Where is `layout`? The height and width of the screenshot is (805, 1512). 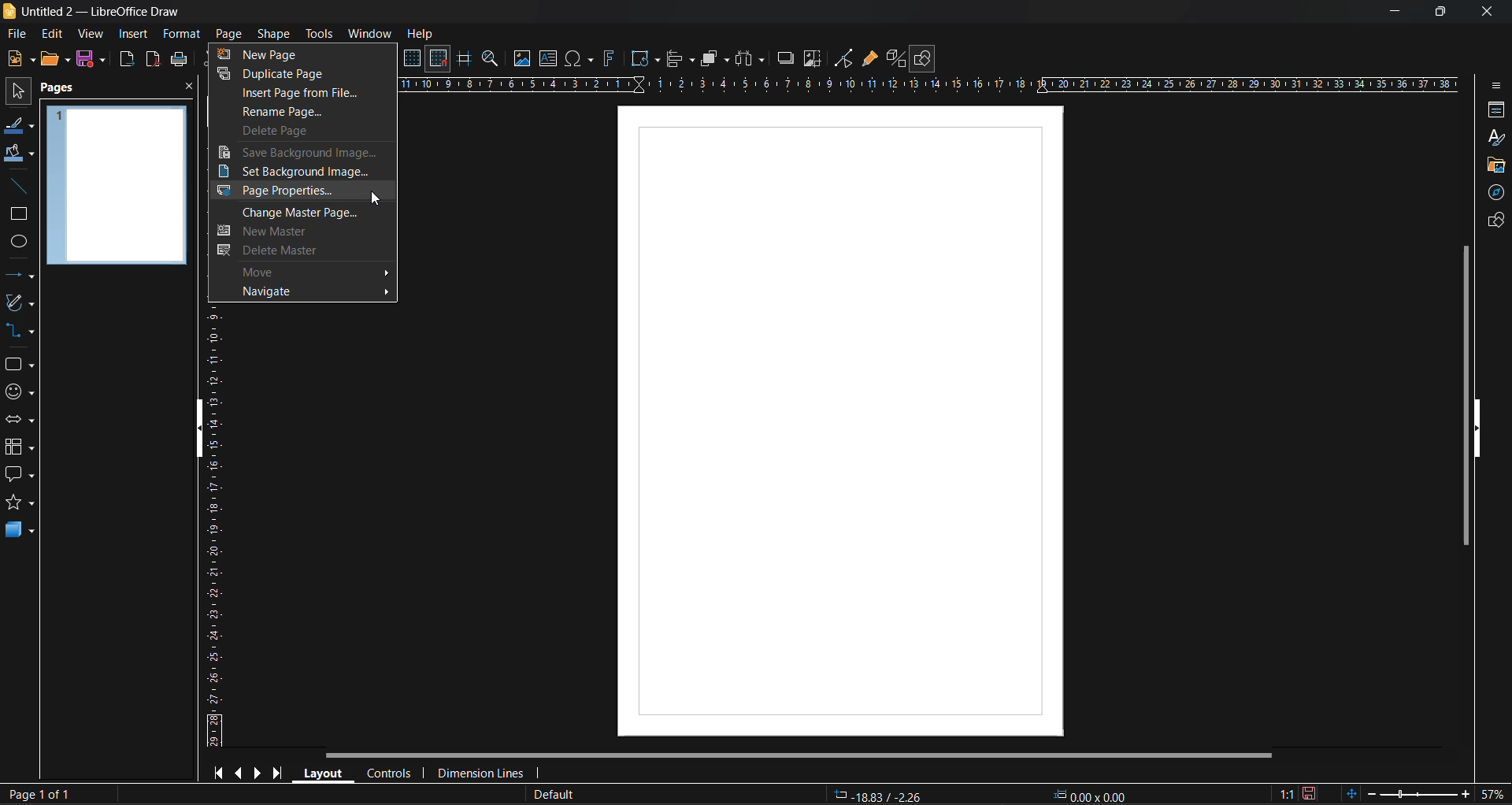
layout is located at coordinates (325, 773).